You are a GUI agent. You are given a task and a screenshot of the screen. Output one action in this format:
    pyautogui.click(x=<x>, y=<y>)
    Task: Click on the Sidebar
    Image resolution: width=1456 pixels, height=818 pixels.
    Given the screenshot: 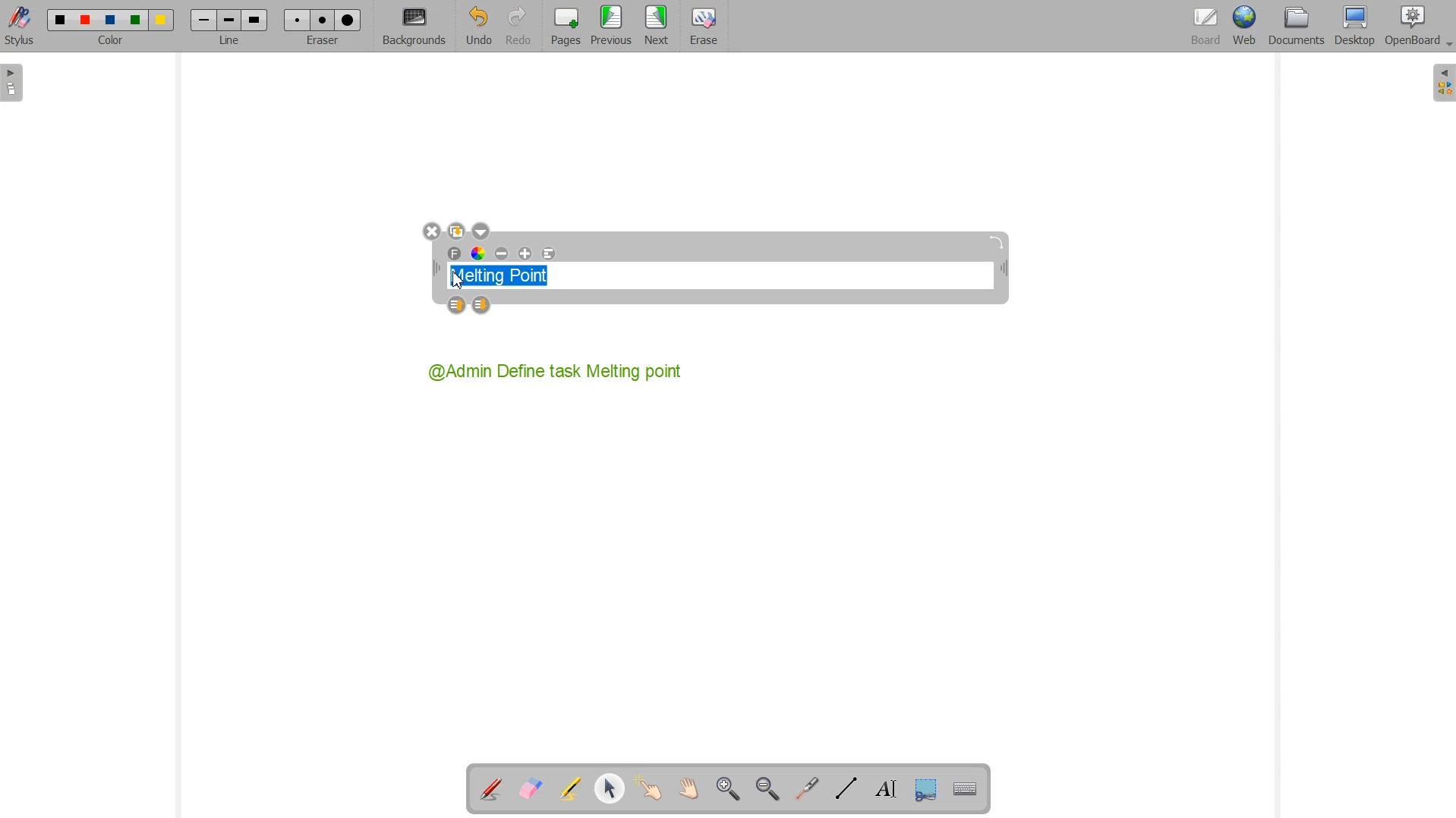 What is the action you would take?
    pyautogui.click(x=14, y=83)
    